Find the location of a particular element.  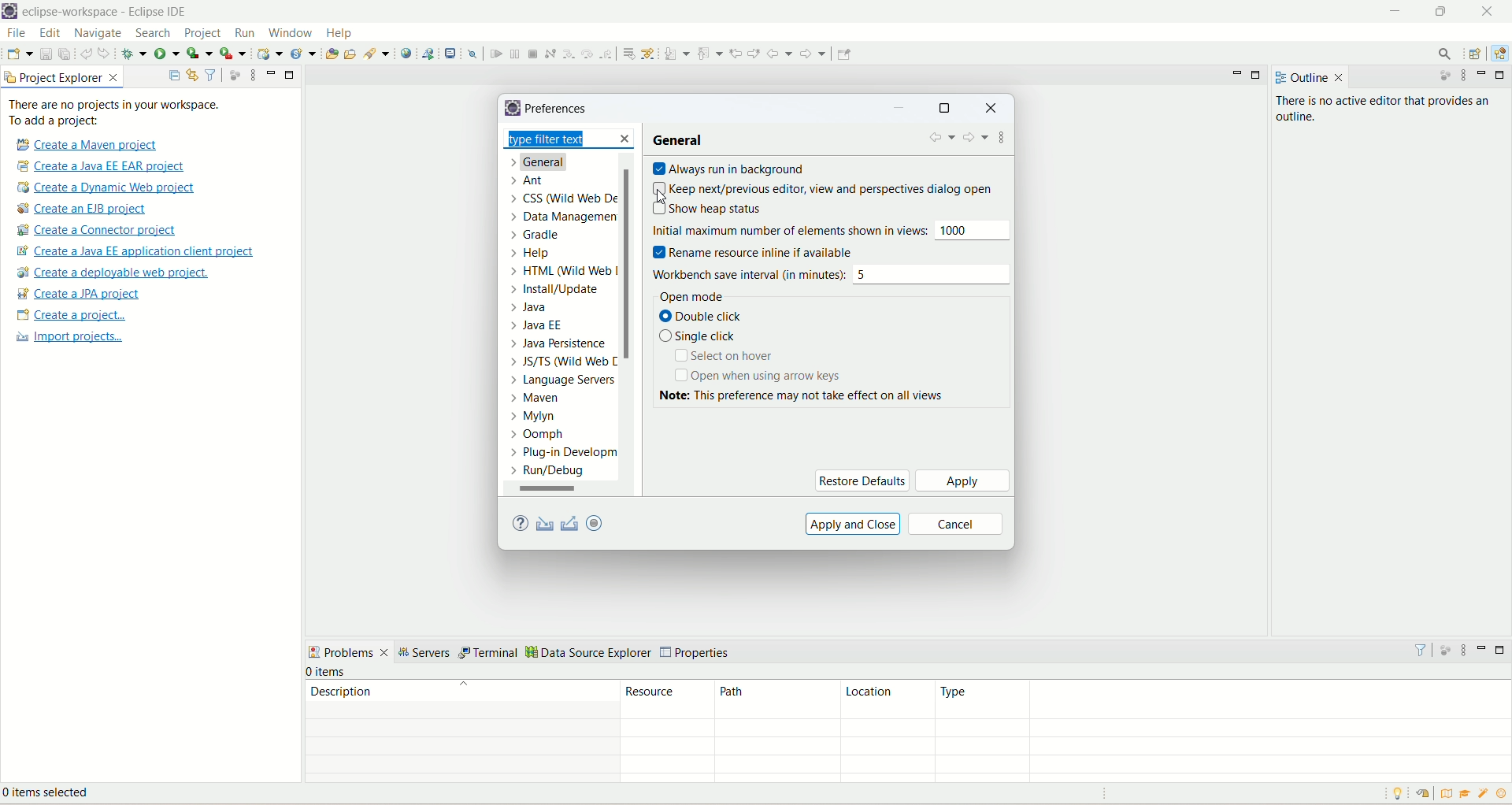

restore welcome is located at coordinates (1421, 794).